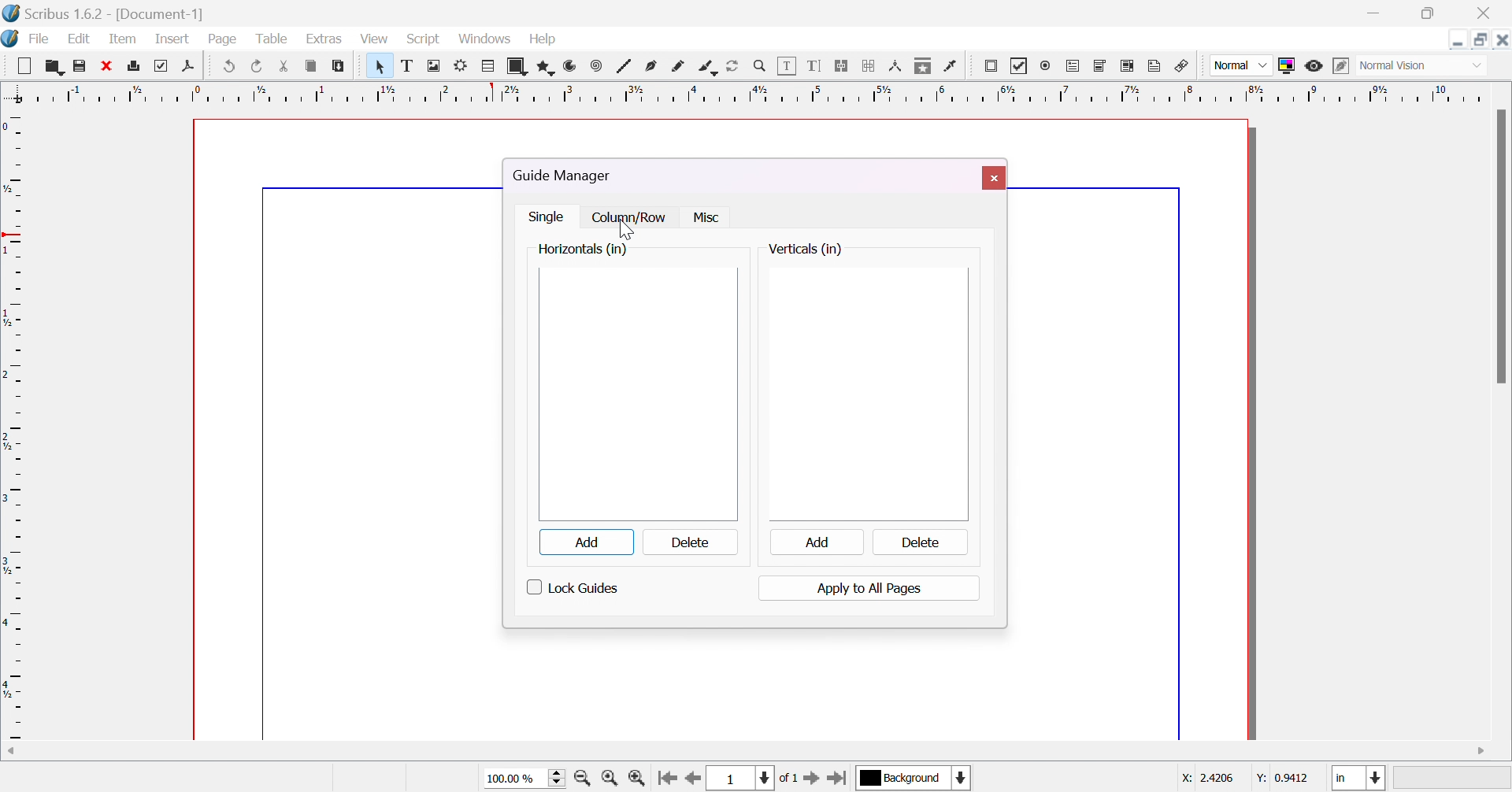  What do you see at coordinates (627, 67) in the screenshot?
I see `line` at bounding box center [627, 67].